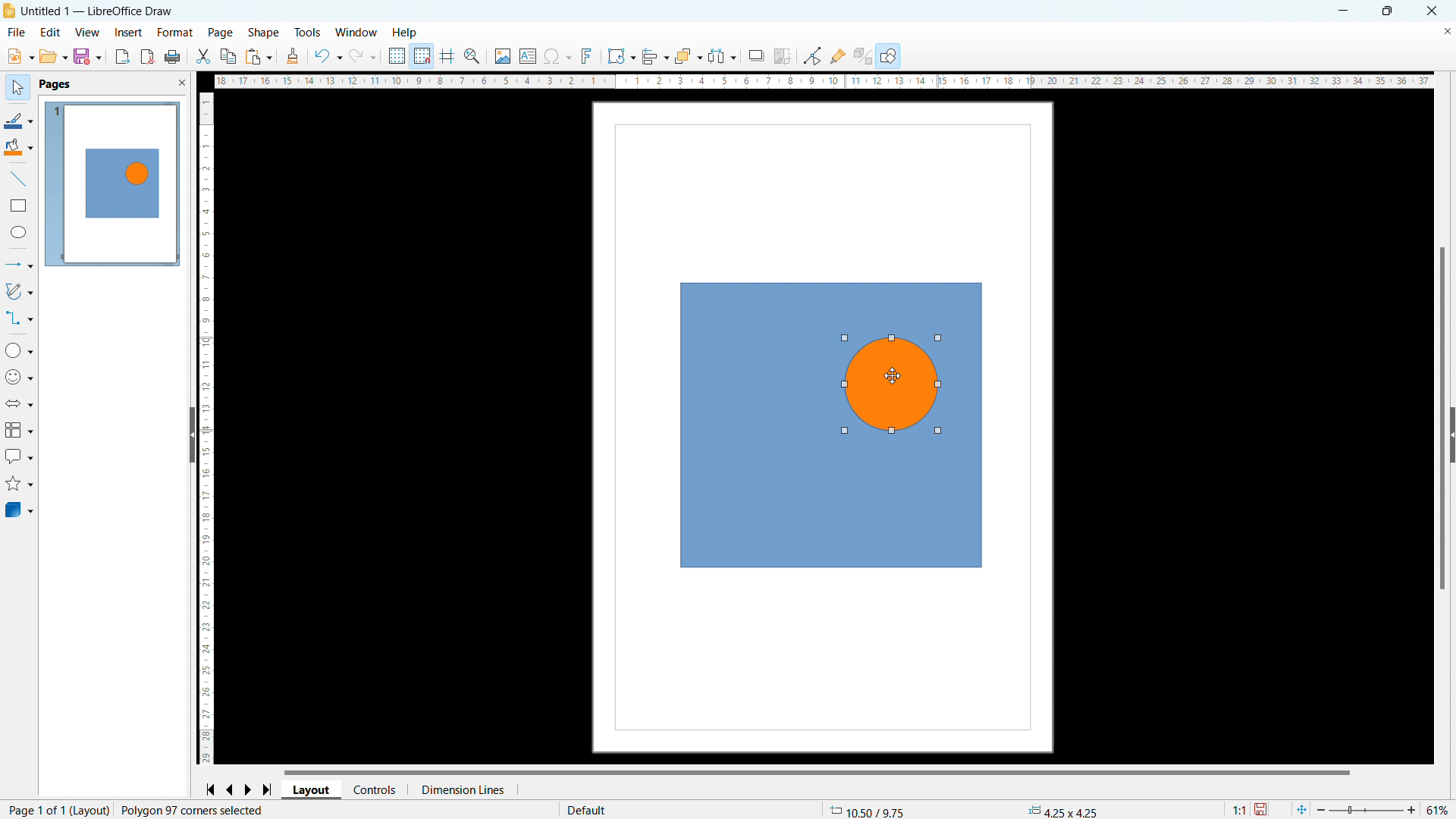  I want to click on show gluepoint functions, so click(837, 56).